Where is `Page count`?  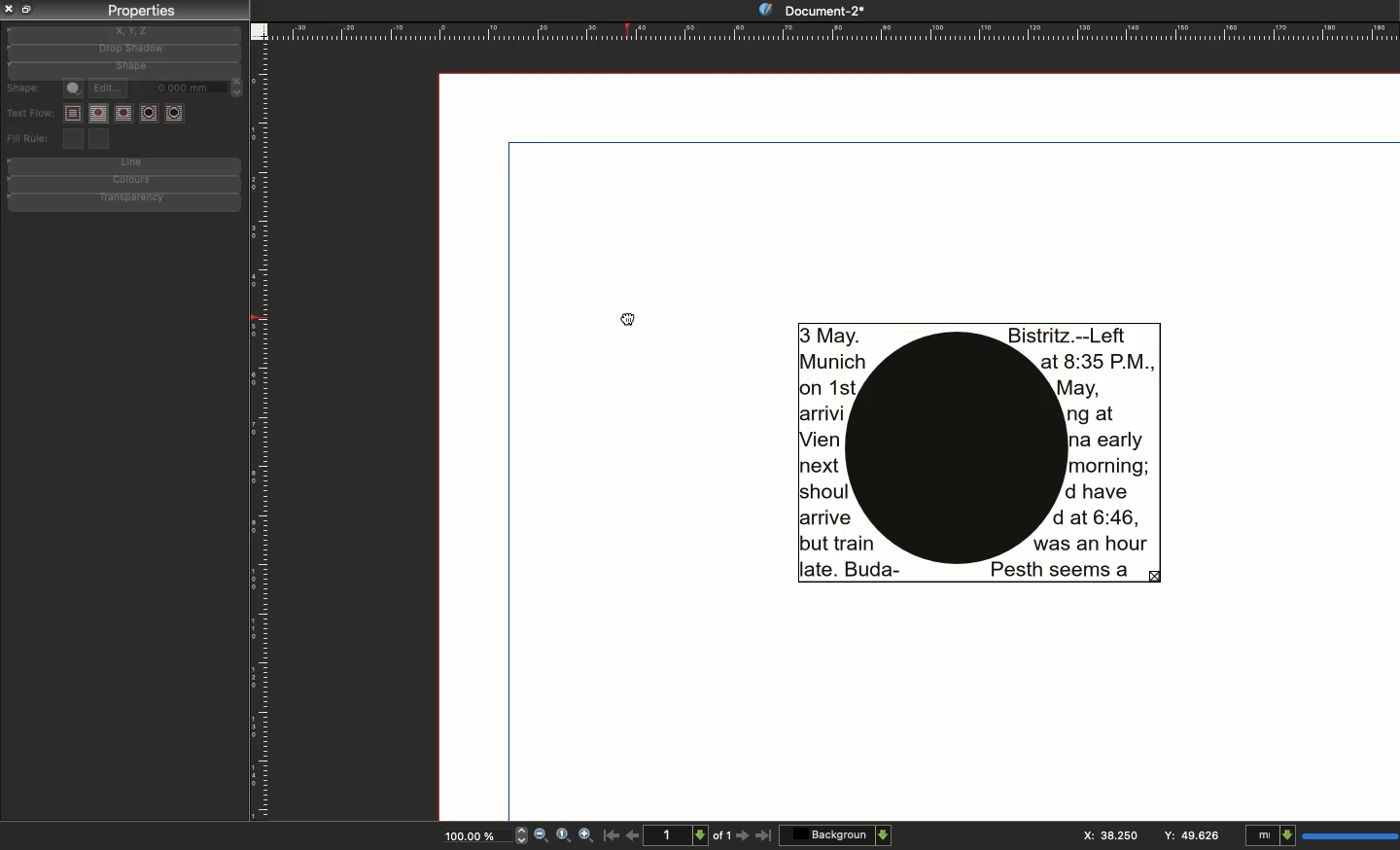 Page count is located at coordinates (689, 834).